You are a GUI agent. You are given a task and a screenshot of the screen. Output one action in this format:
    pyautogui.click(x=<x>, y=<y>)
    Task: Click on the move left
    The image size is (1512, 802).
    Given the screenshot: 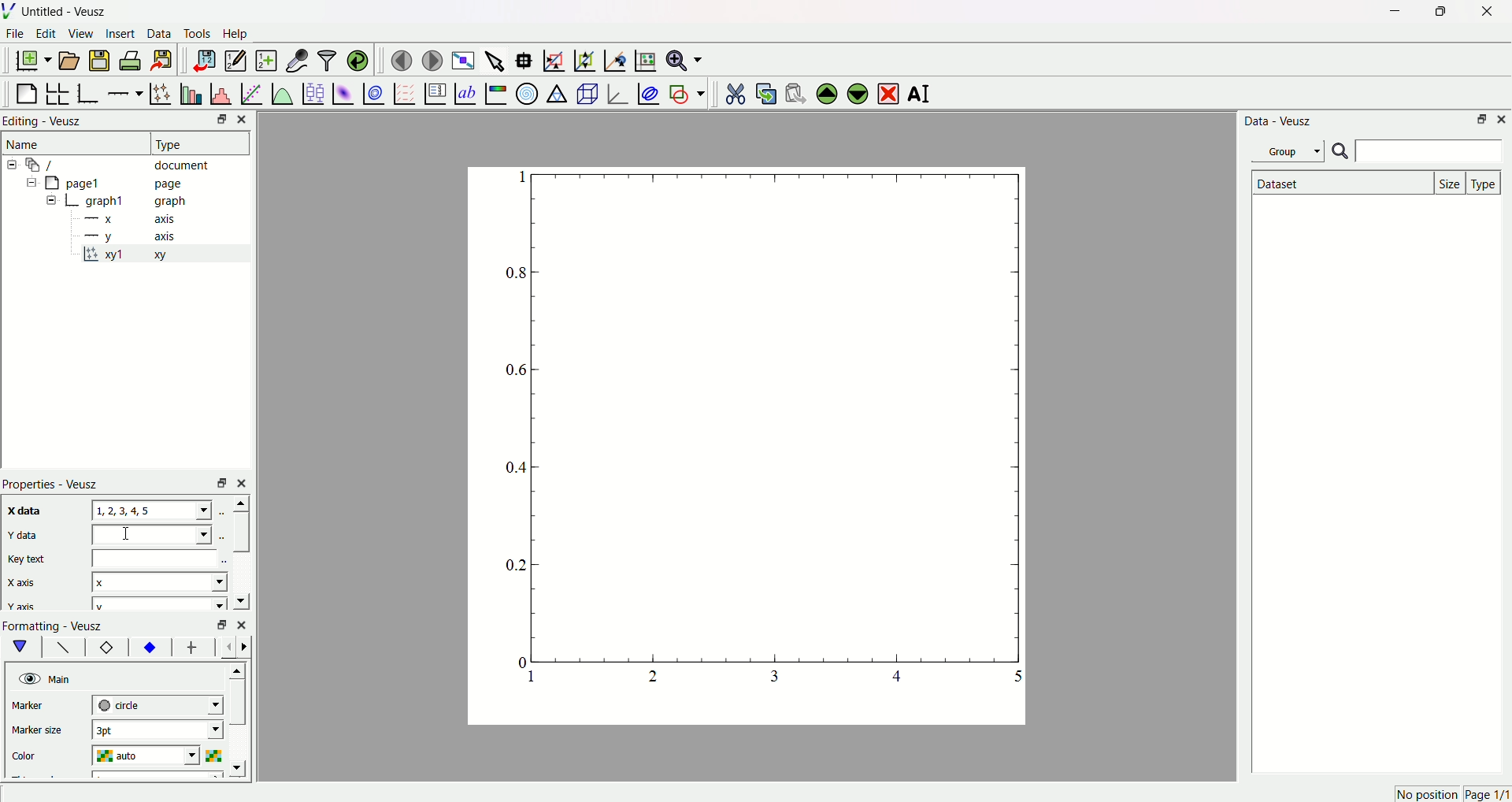 What is the action you would take?
    pyautogui.click(x=230, y=647)
    